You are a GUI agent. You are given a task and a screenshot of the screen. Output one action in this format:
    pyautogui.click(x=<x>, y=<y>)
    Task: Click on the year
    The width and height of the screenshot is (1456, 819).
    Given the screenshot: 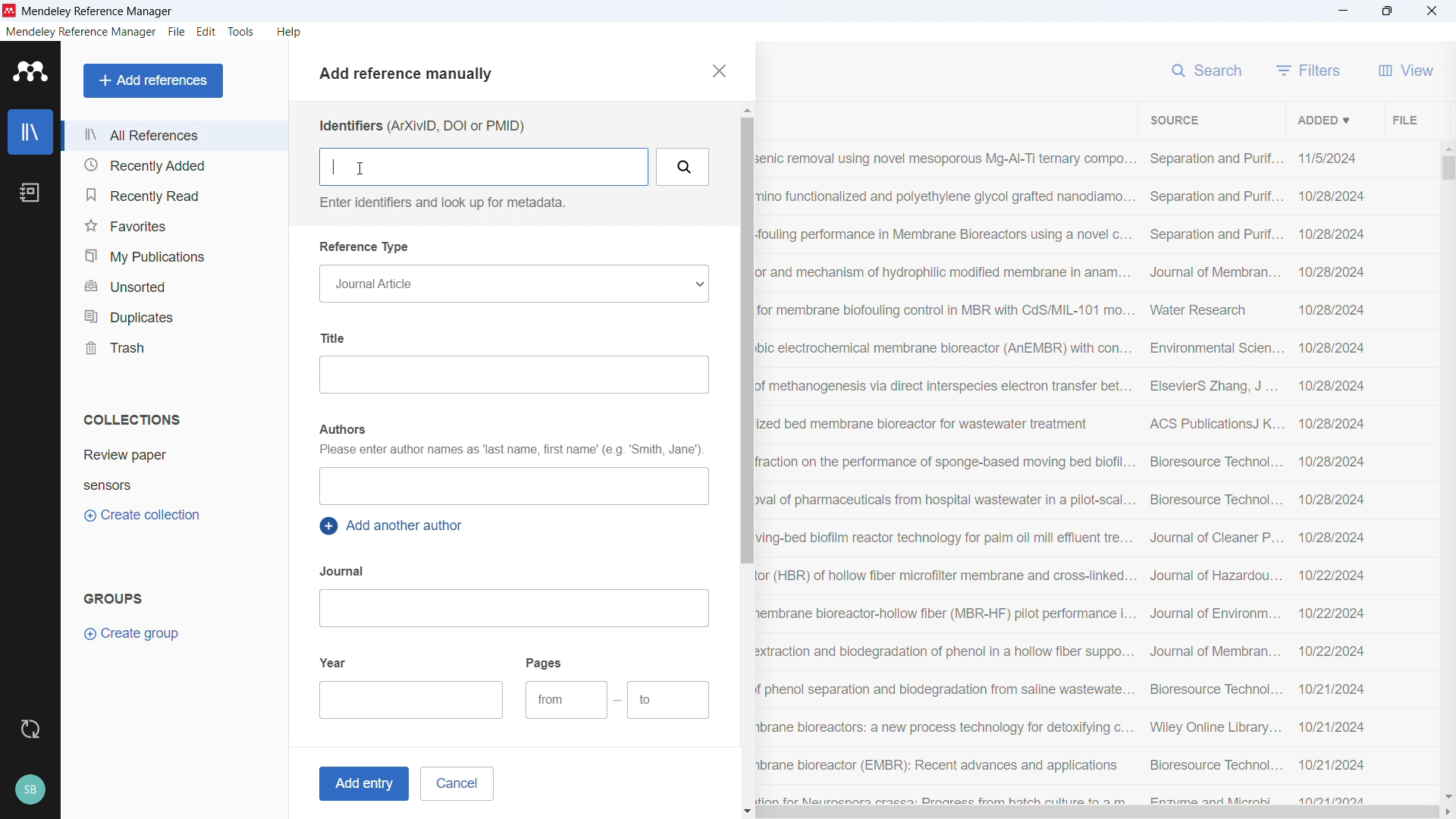 What is the action you would take?
    pyautogui.click(x=334, y=661)
    